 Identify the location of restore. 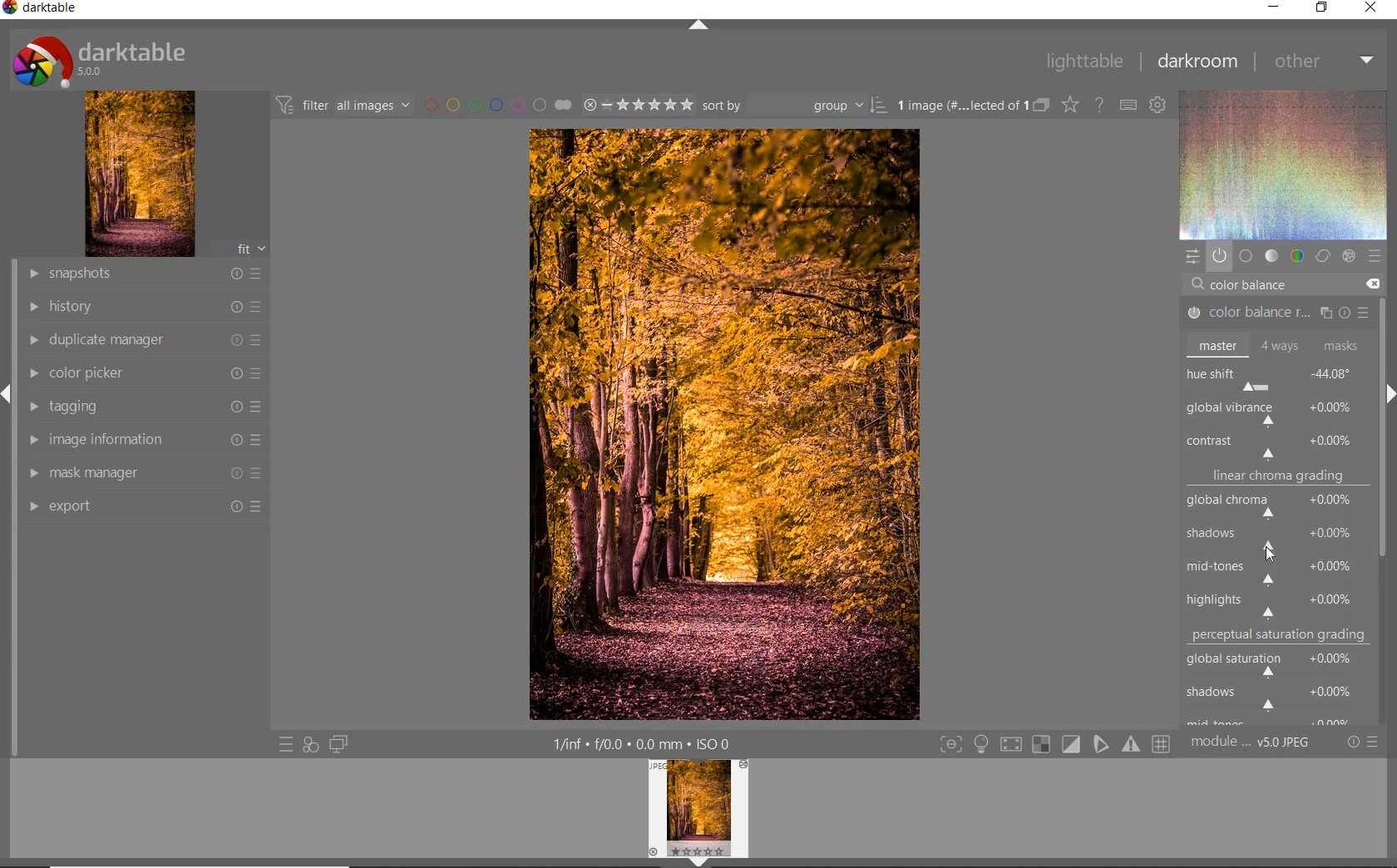
(1320, 9).